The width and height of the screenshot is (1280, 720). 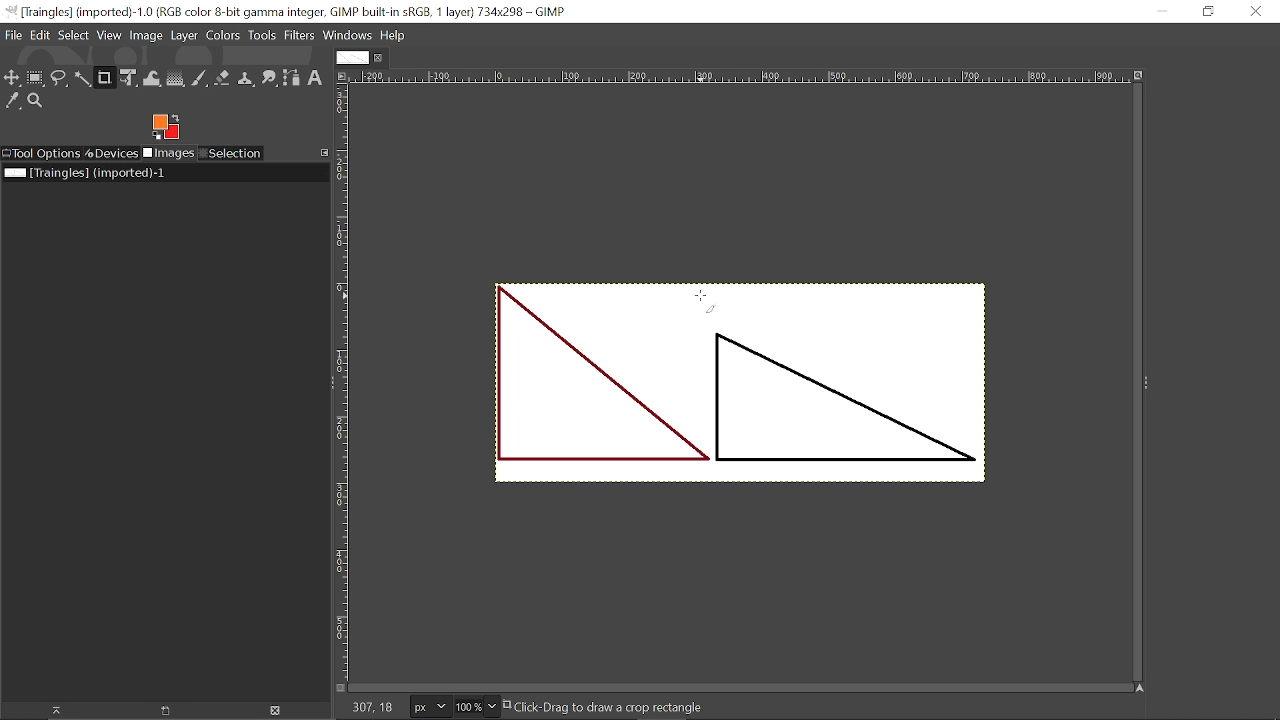 I want to click on Restore down, so click(x=1206, y=13).